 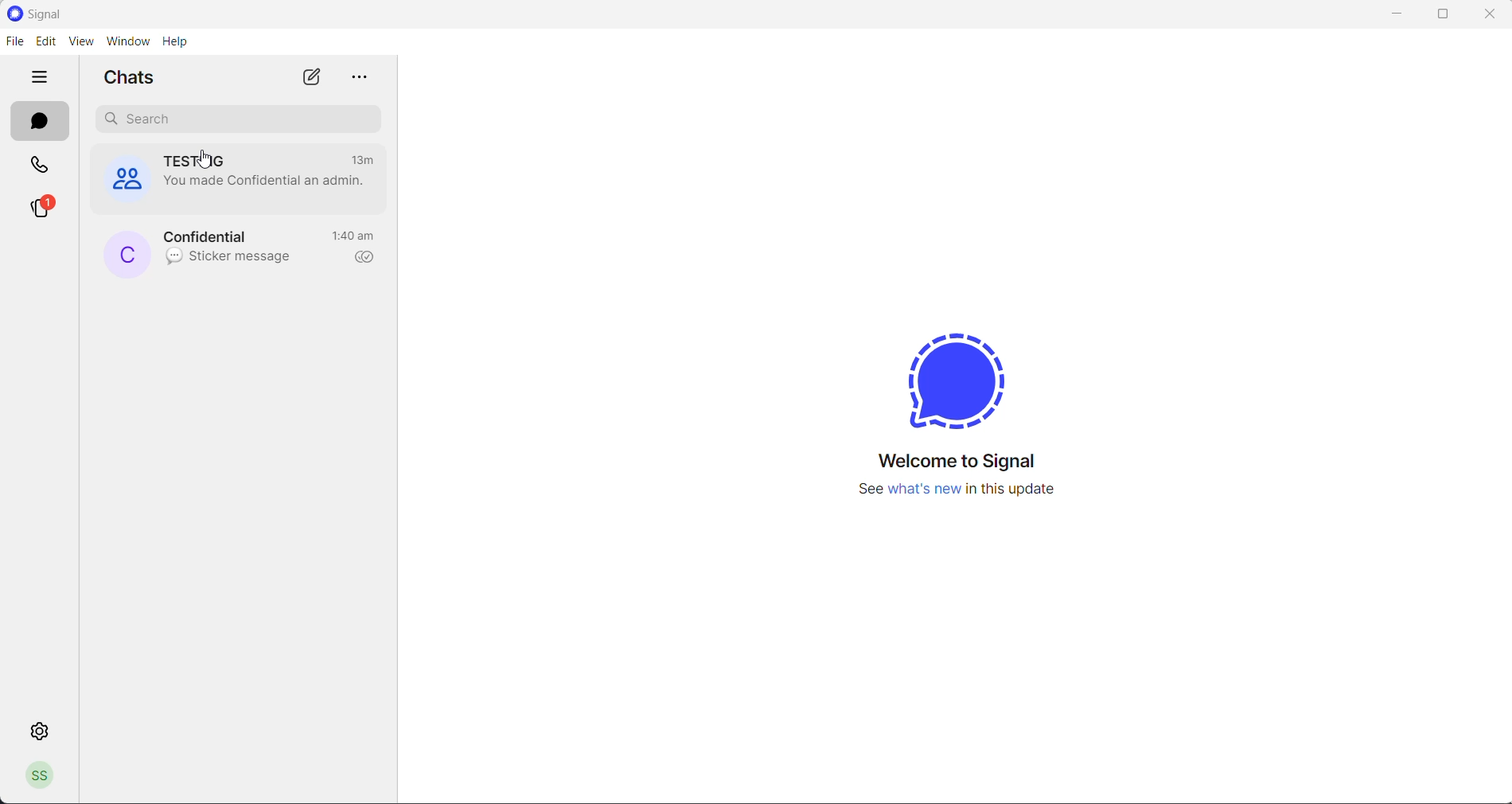 What do you see at coordinates (134, 80) in the screenshot?
I see `chats heading` at bounding box center [134, 80].